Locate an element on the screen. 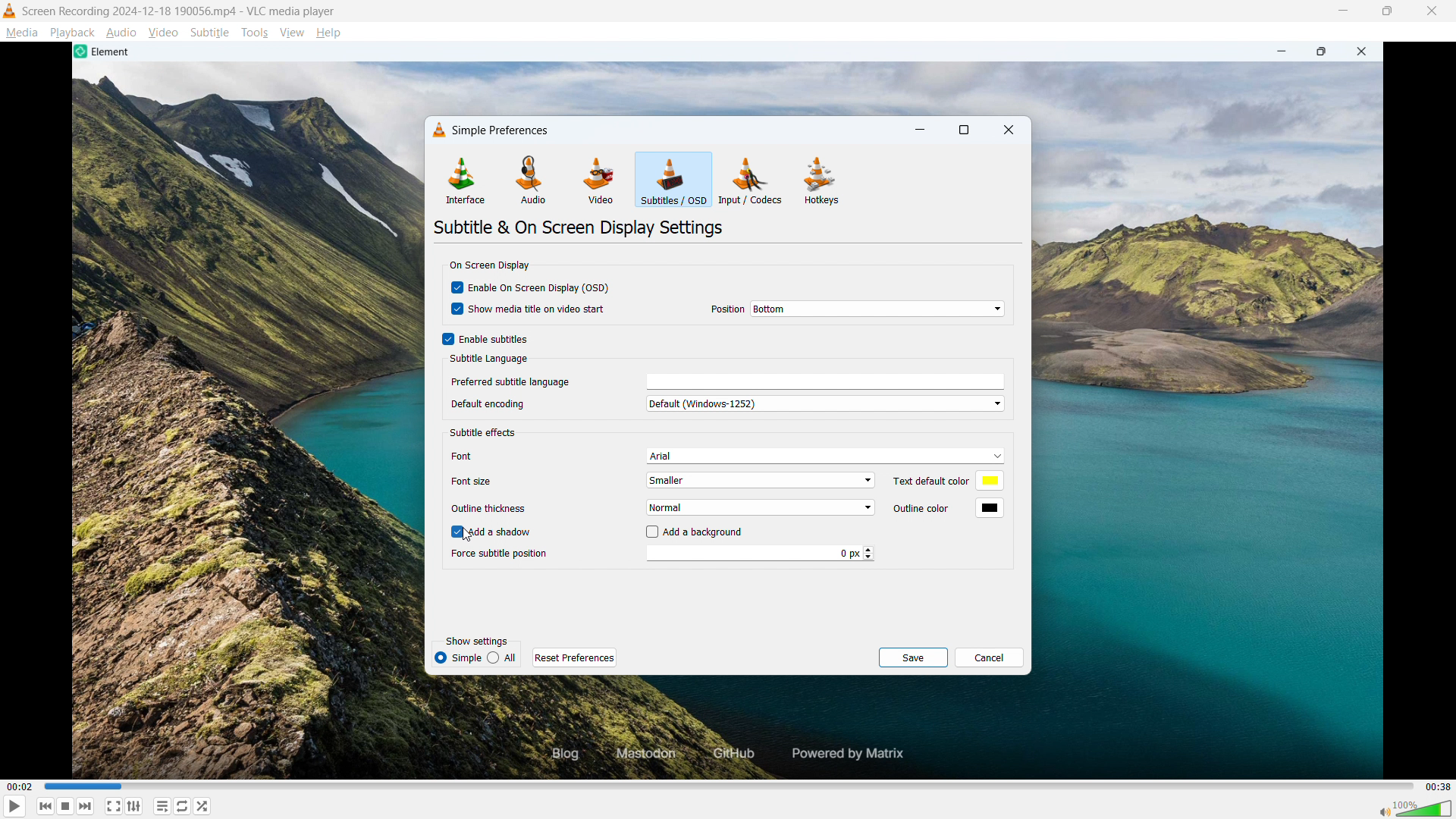 Image resolution: width=1456 pixels, height=819 pixels. Simple preferences  is located at coordinates (500, 130).